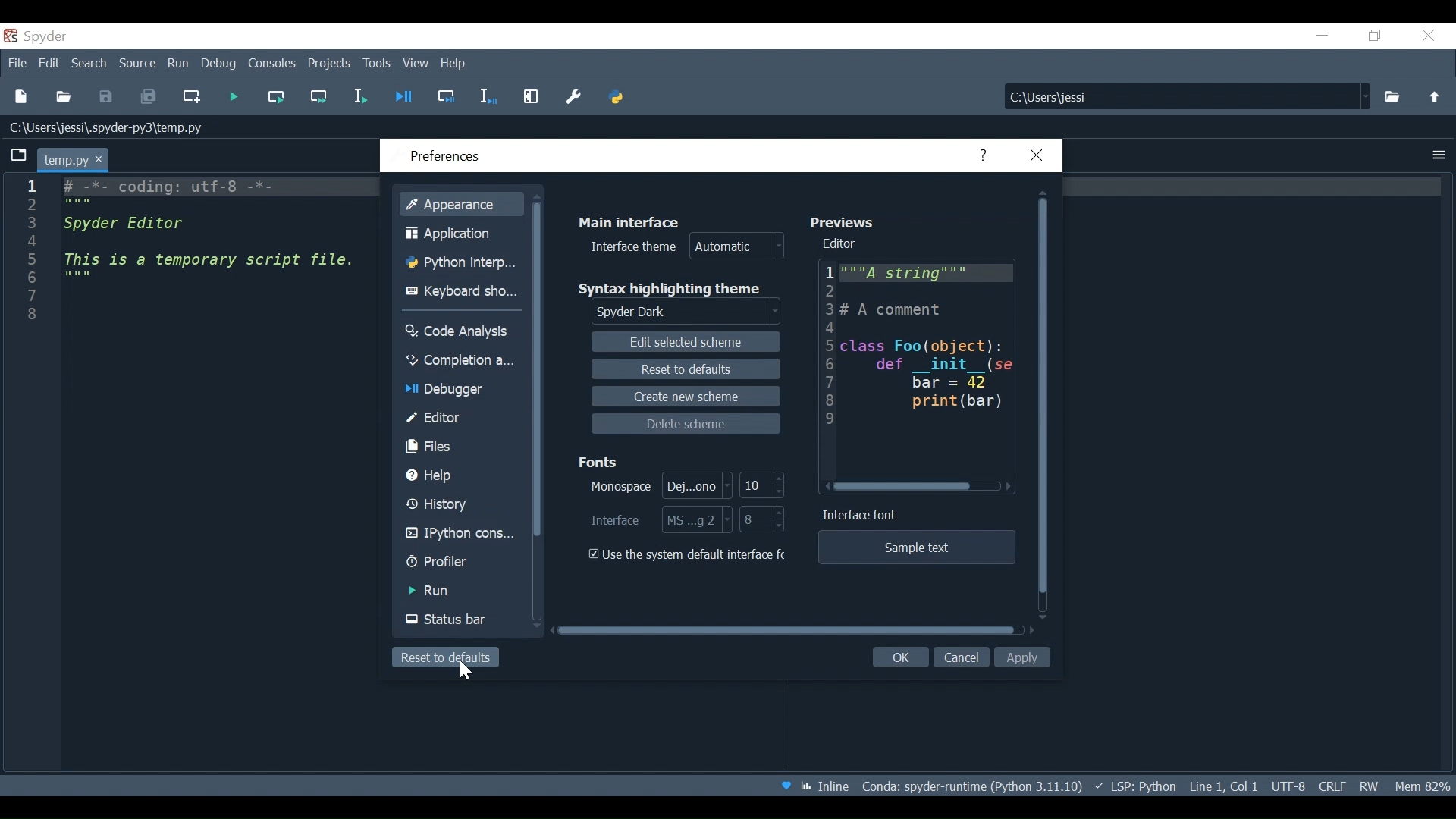  What do you see at coordinates (461, 290) in the screenshot?
I see `Keyboard shortcut` at bounding box center [461, 290].